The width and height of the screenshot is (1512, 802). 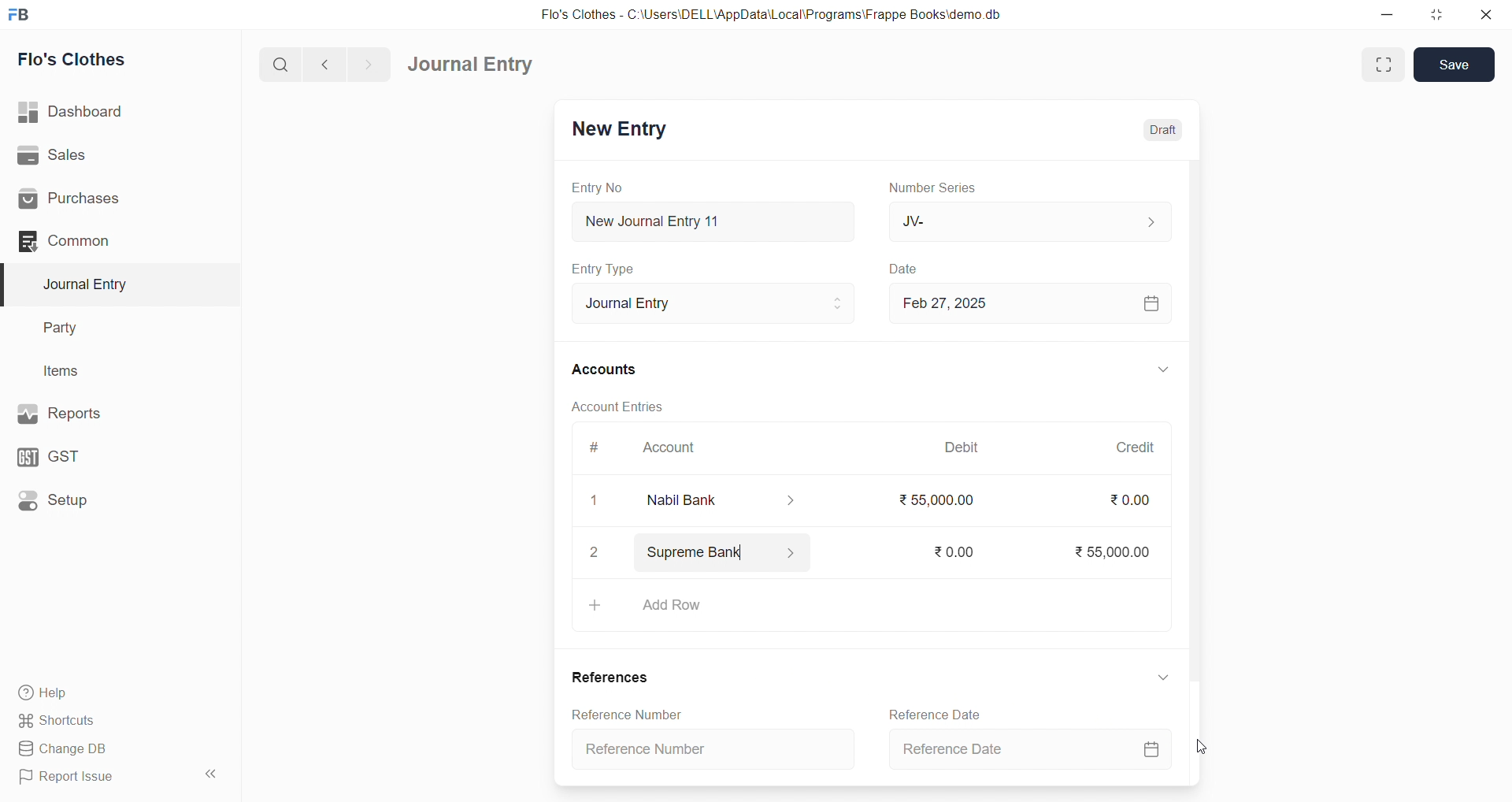 What do you see at coordinates (611, 675) in the screenshot?
I see `References` at bounding box center [611, 675].